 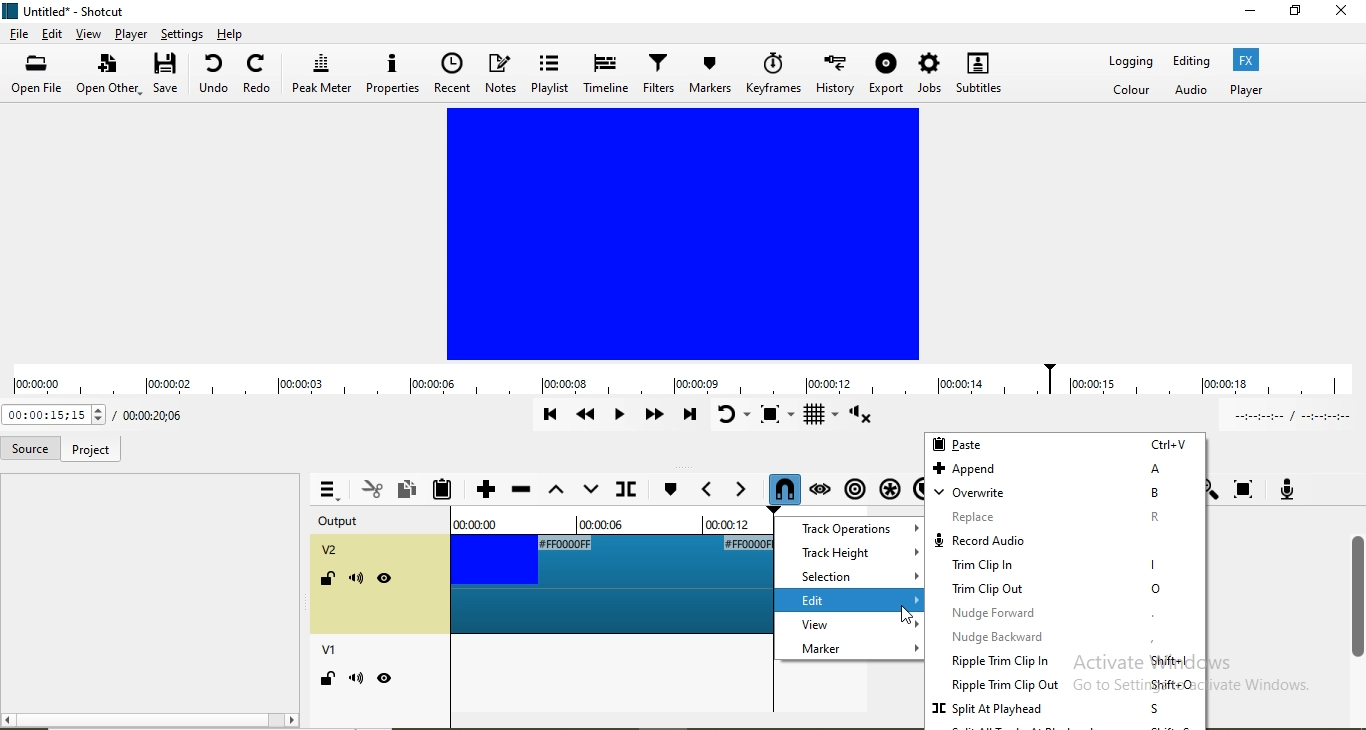 What do you see at coordinates (780, 416) in the screenshot?
I see `Toggle zoom` at bounding box center [780, 416].